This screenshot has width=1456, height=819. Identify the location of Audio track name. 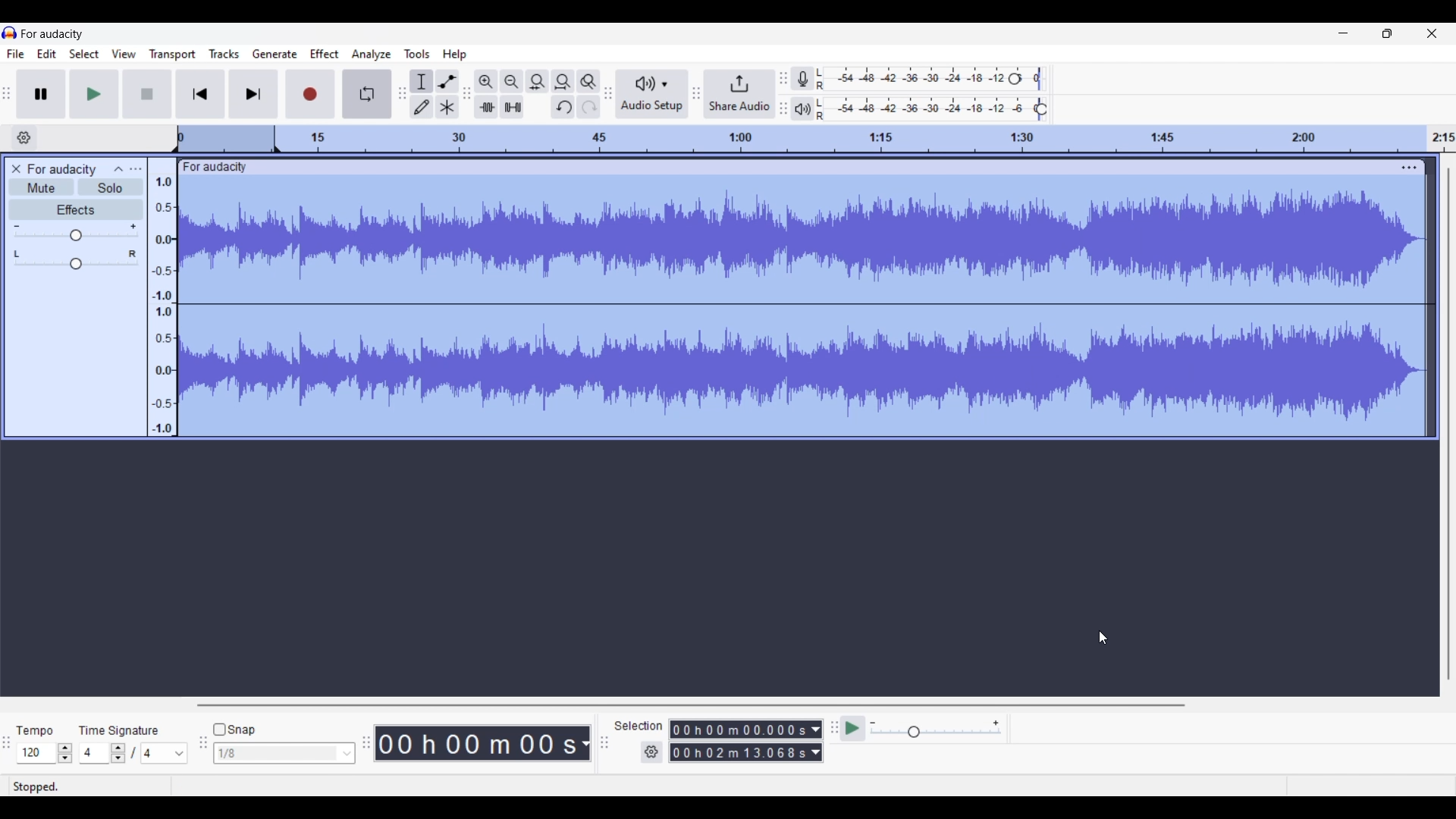
(62, 170).